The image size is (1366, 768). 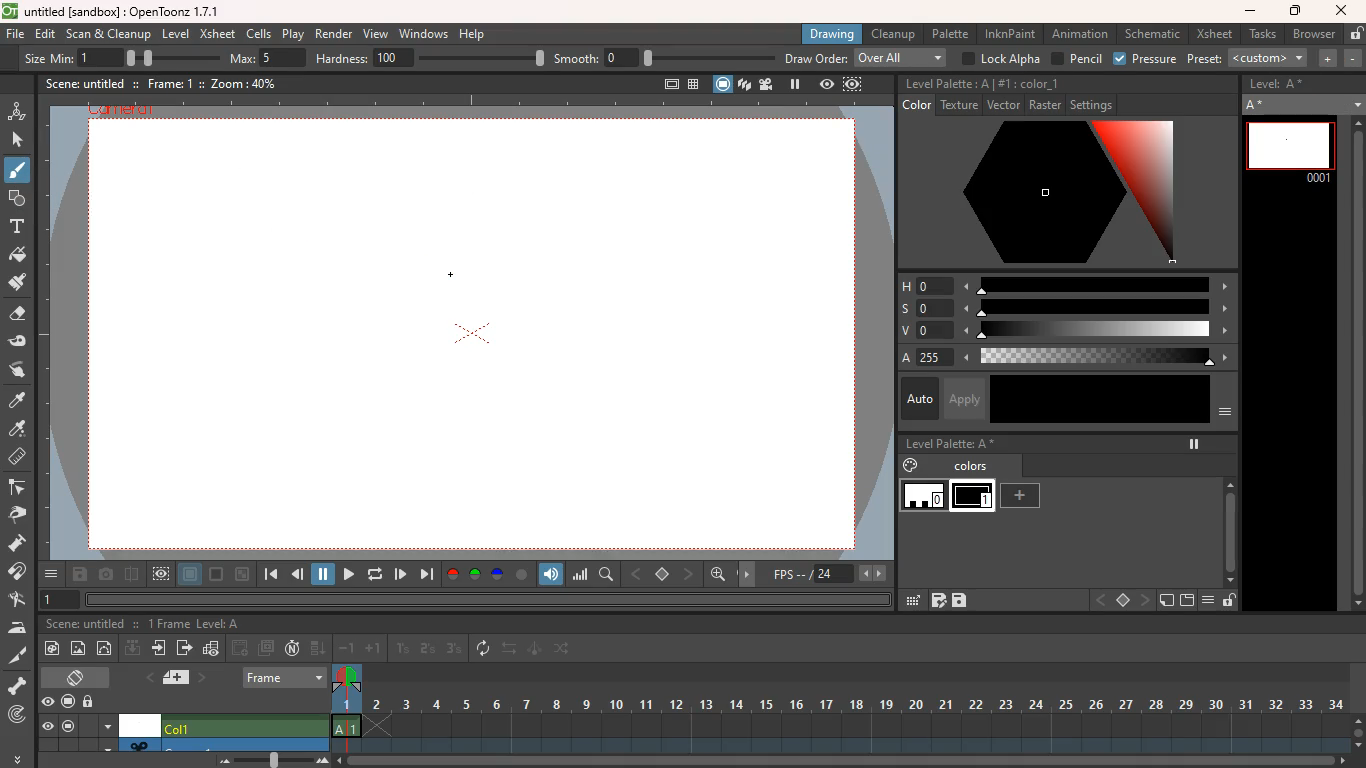 I want to click on join, so click(x=20, y=573).